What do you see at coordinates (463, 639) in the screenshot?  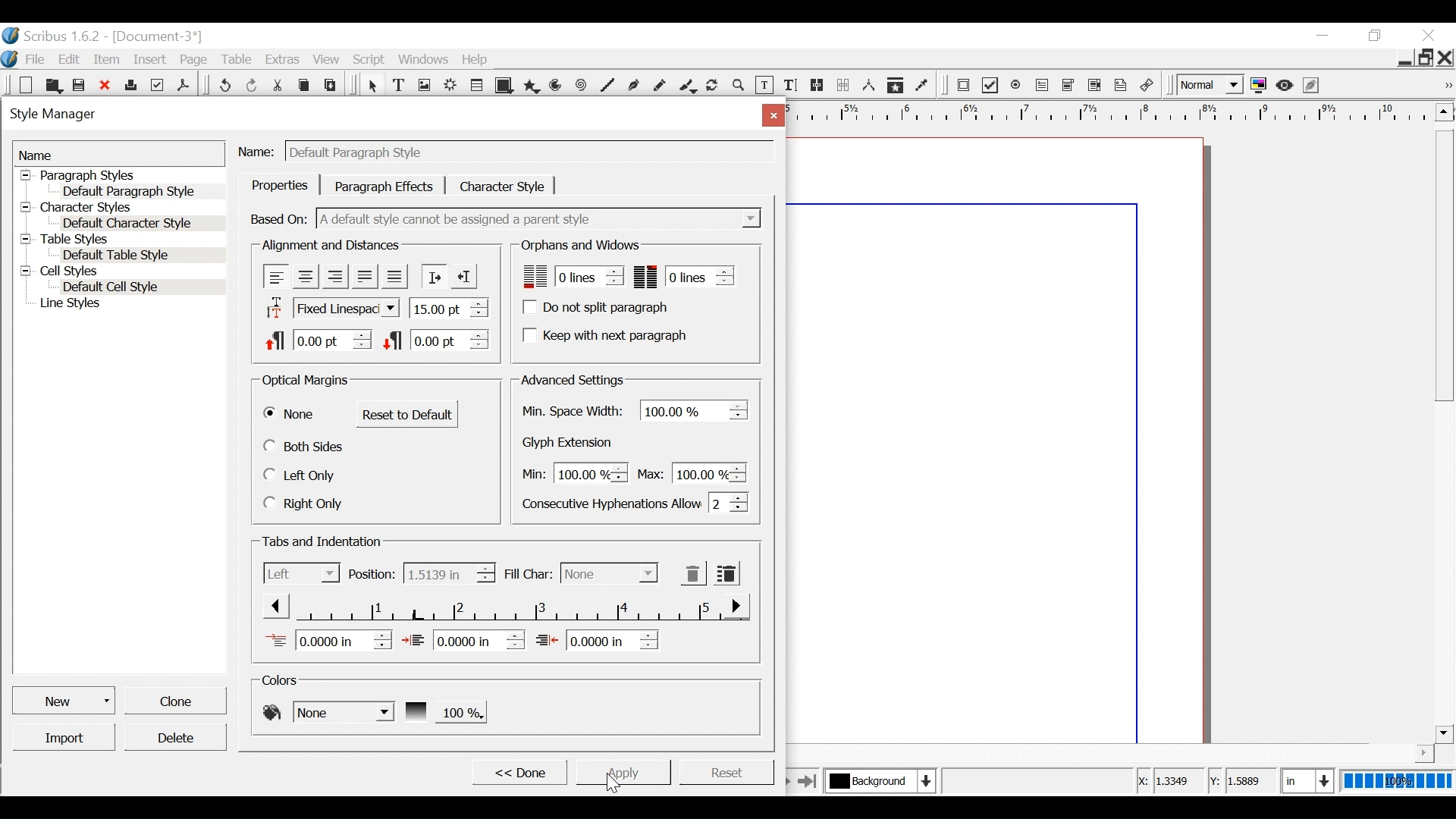 I see `Left Indent` at bounding box center [463, 639].